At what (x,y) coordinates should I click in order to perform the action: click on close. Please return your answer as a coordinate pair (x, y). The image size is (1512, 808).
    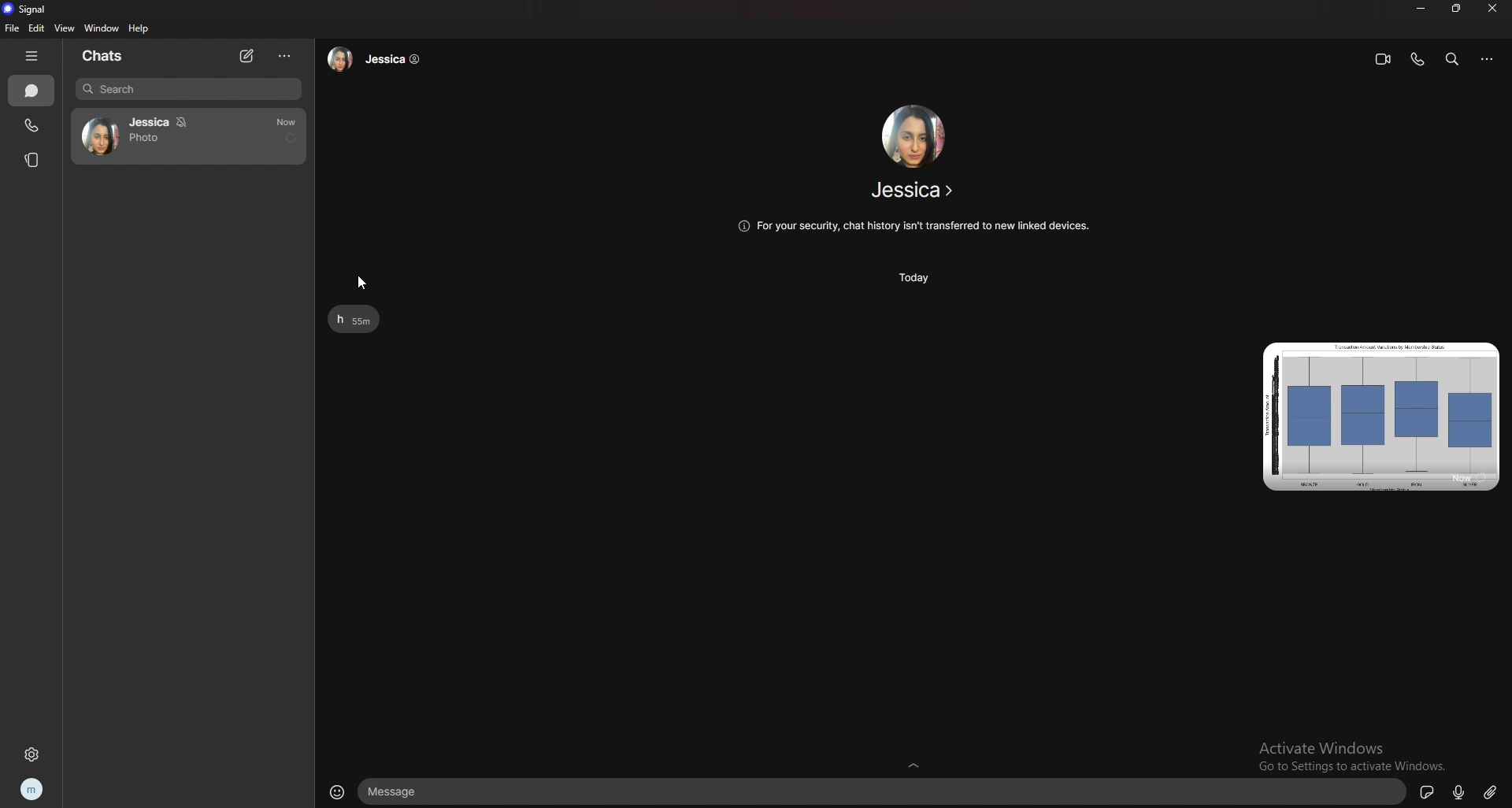
    Looking at the image, I should click on (1492, 8).